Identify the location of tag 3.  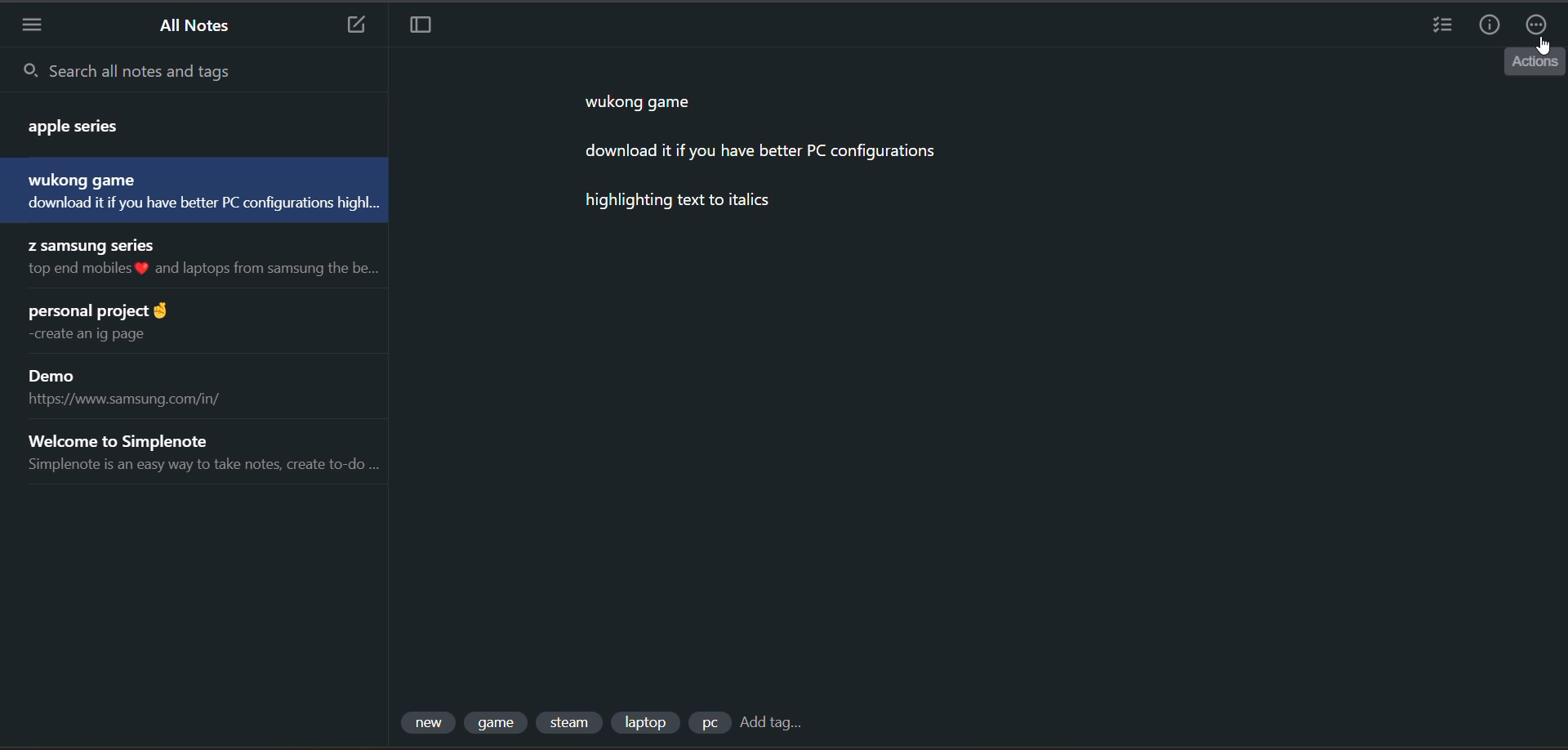
(572, 723).